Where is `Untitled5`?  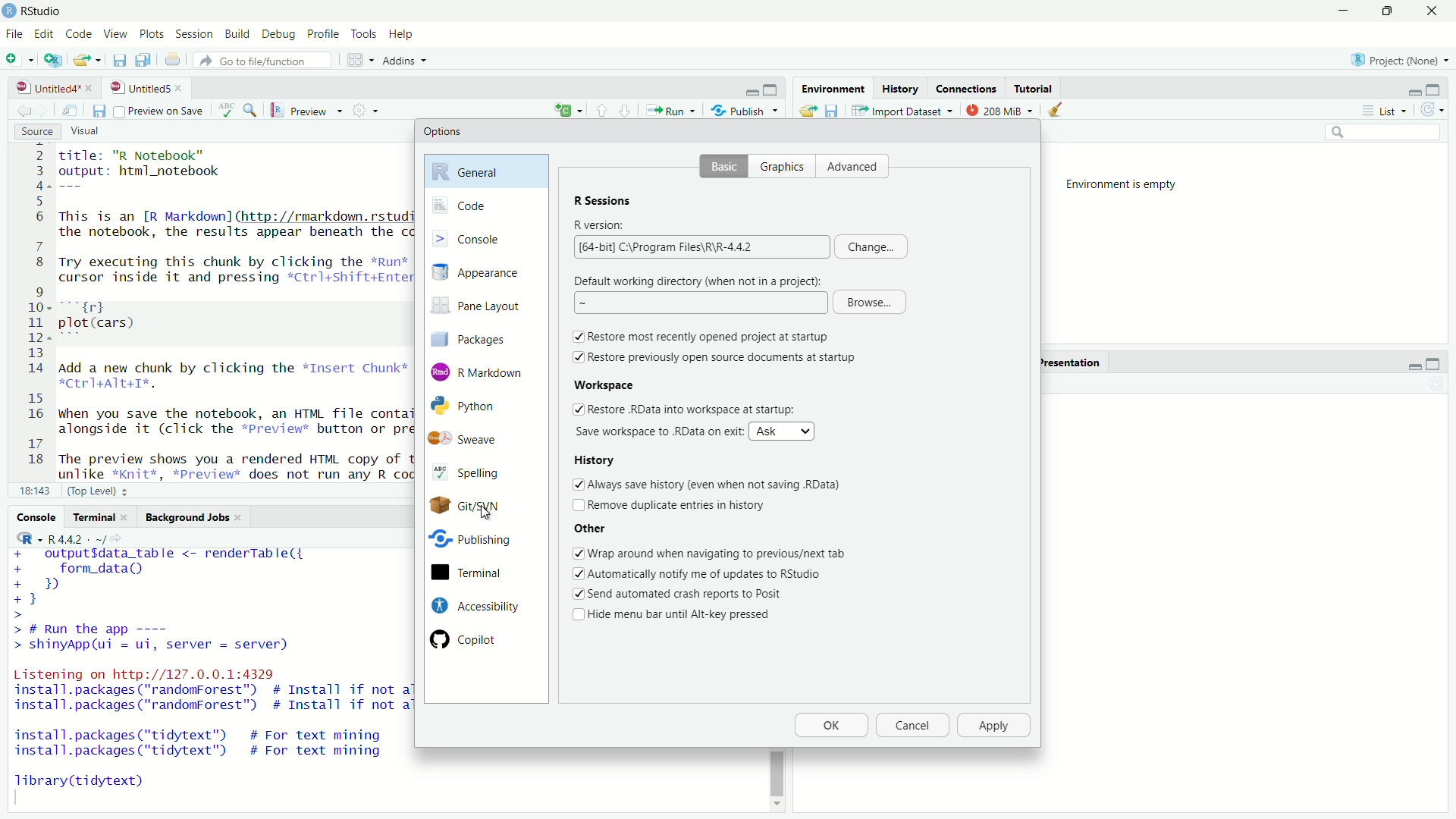 Untitled5 is located at coordinates (138, 88).